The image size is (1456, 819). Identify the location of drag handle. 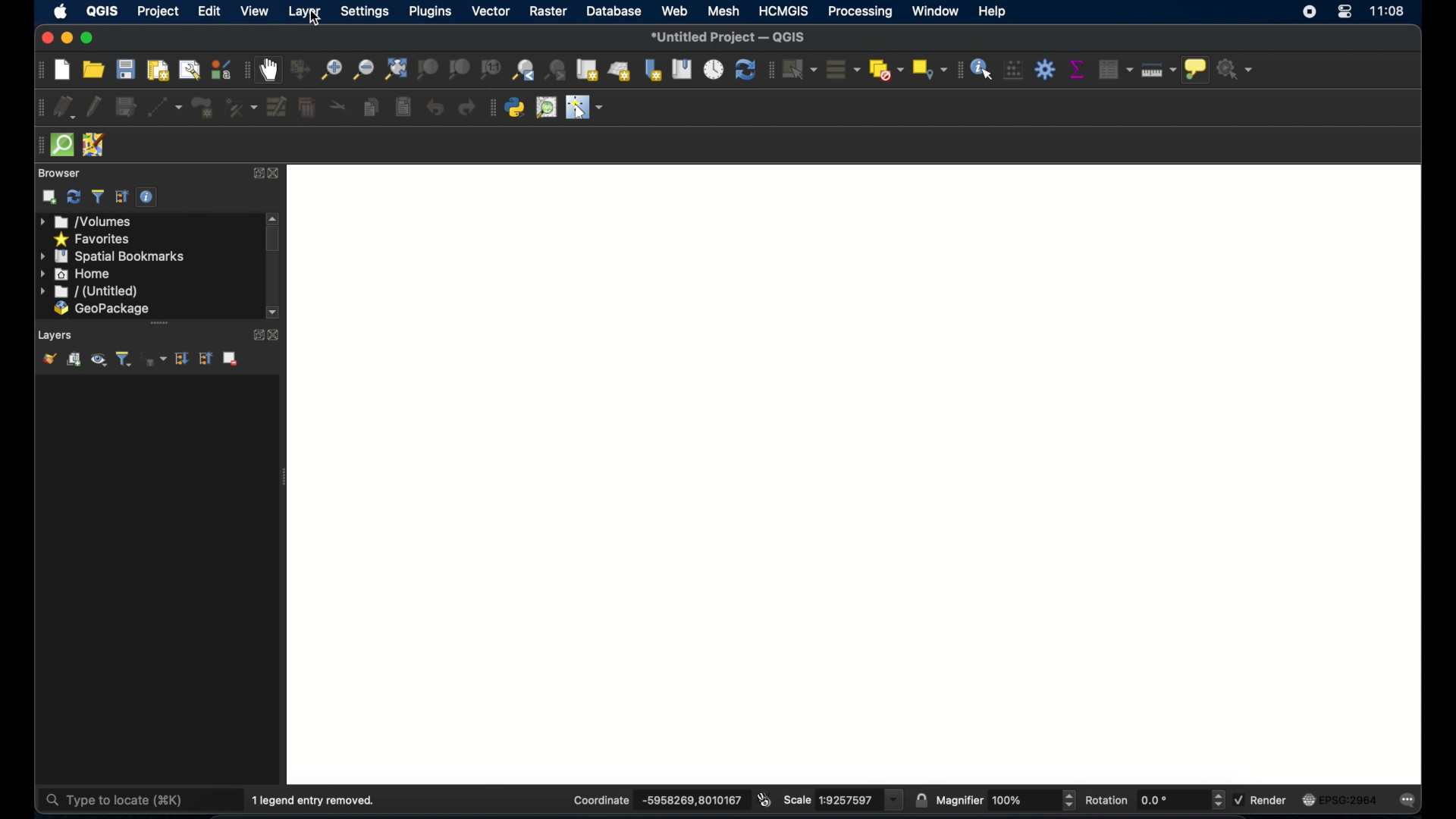
(160, 322).